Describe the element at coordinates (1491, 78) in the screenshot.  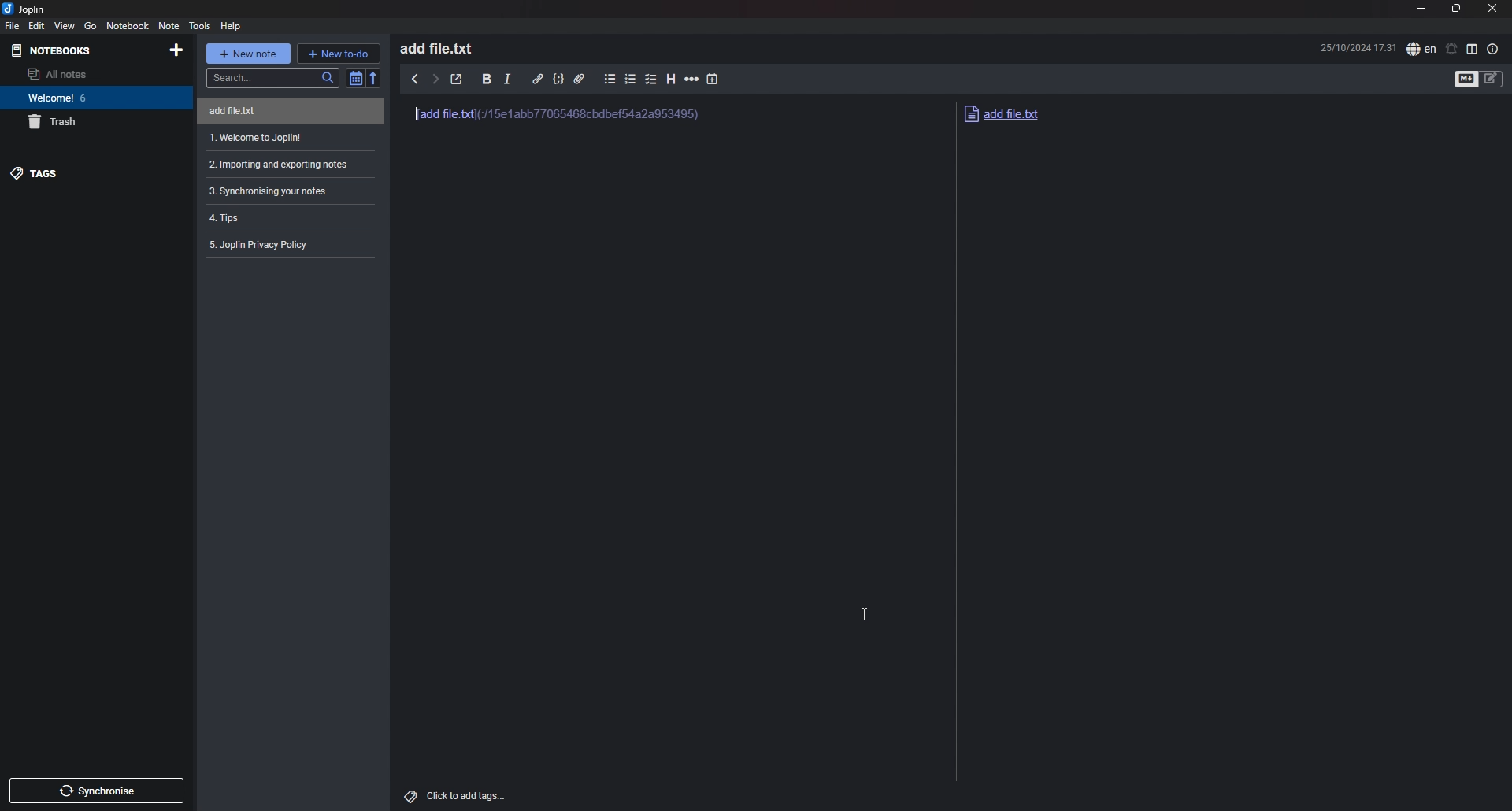
I see `toggle editors` at that location.